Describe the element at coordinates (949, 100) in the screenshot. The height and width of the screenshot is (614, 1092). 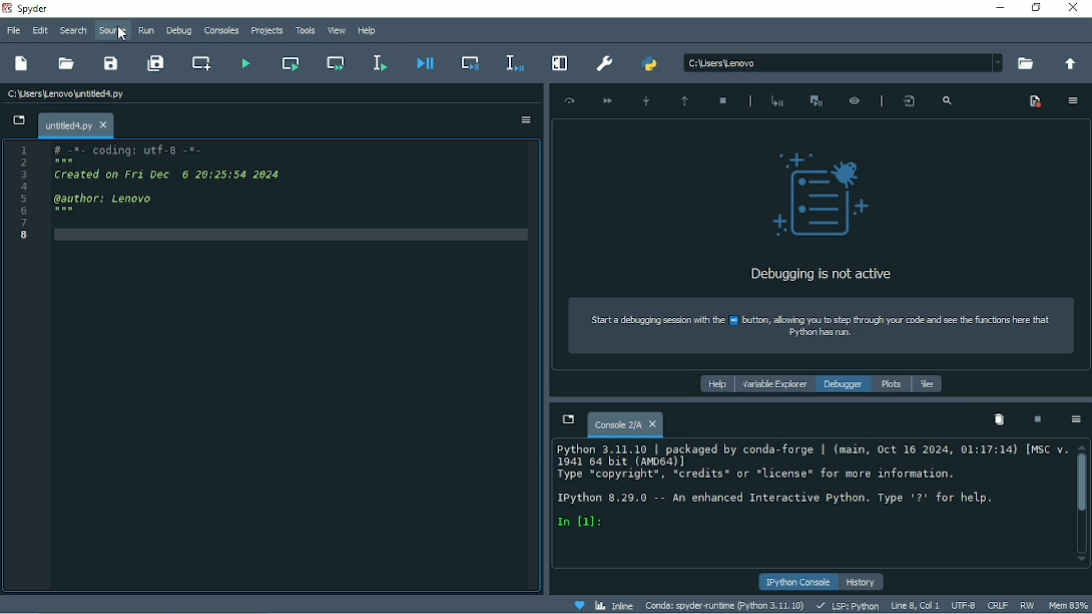
I see `Search frames` at that location.